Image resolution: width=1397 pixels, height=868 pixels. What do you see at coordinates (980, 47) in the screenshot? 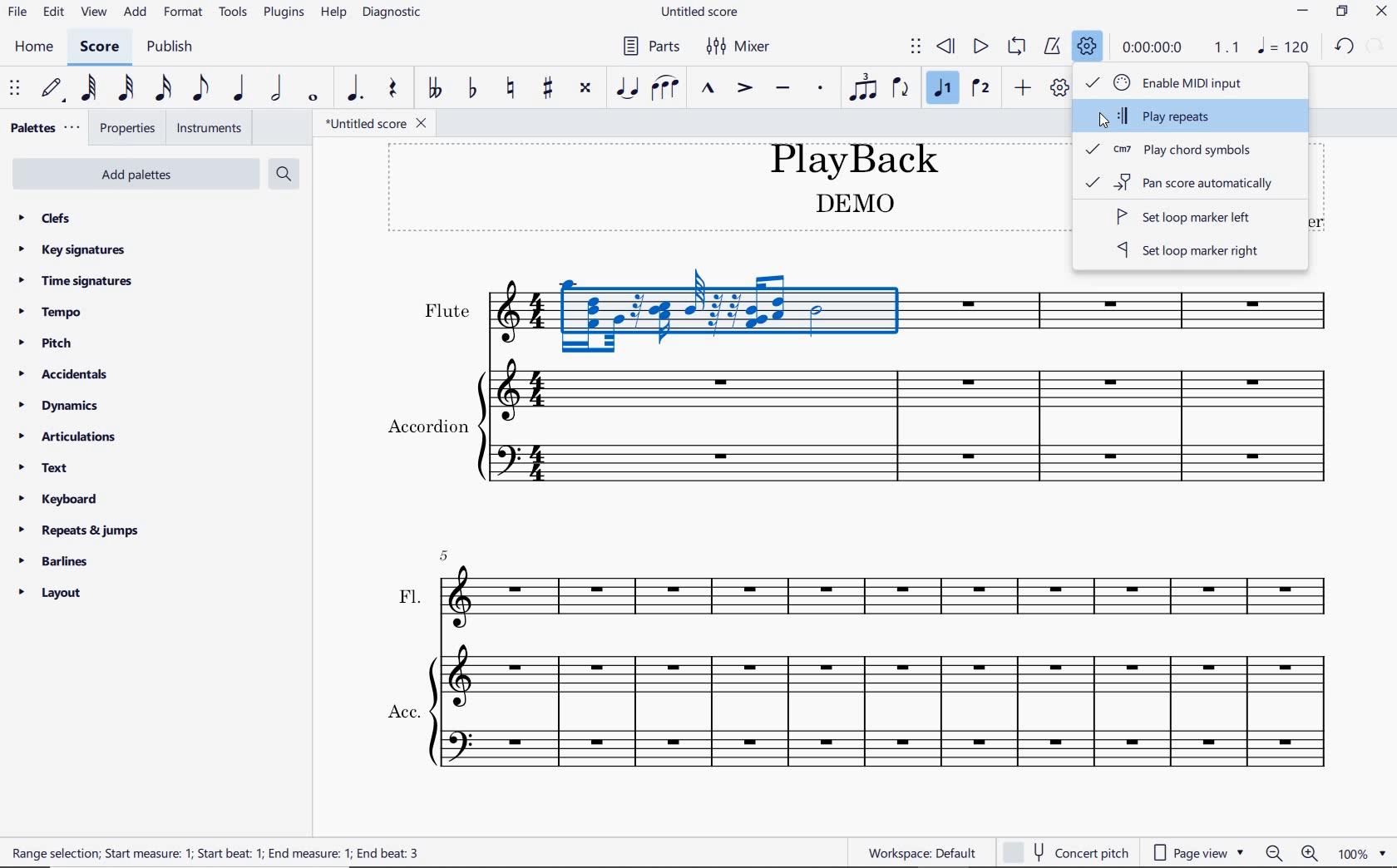
I see `play` at bounding box center [980, 47].